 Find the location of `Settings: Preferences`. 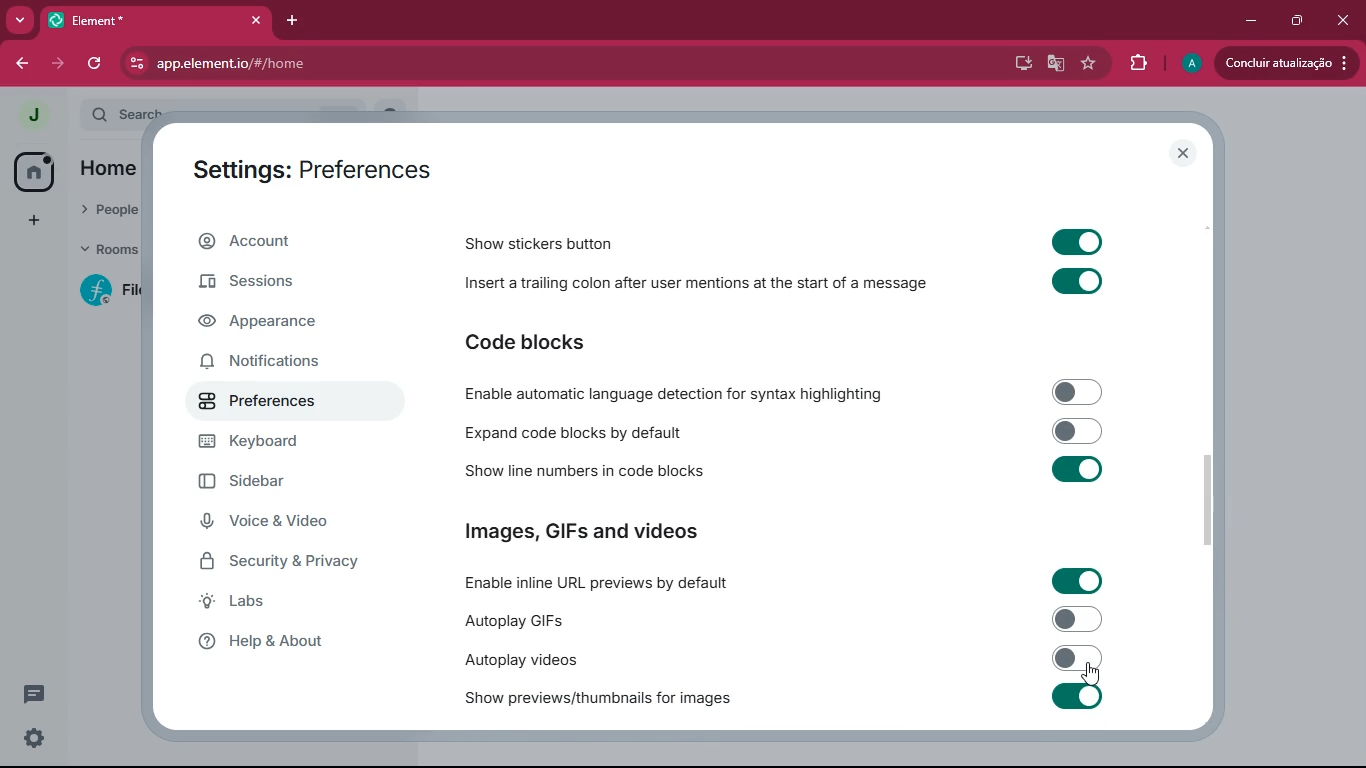

Settings: Preferences is located at coordinates (312, 172).